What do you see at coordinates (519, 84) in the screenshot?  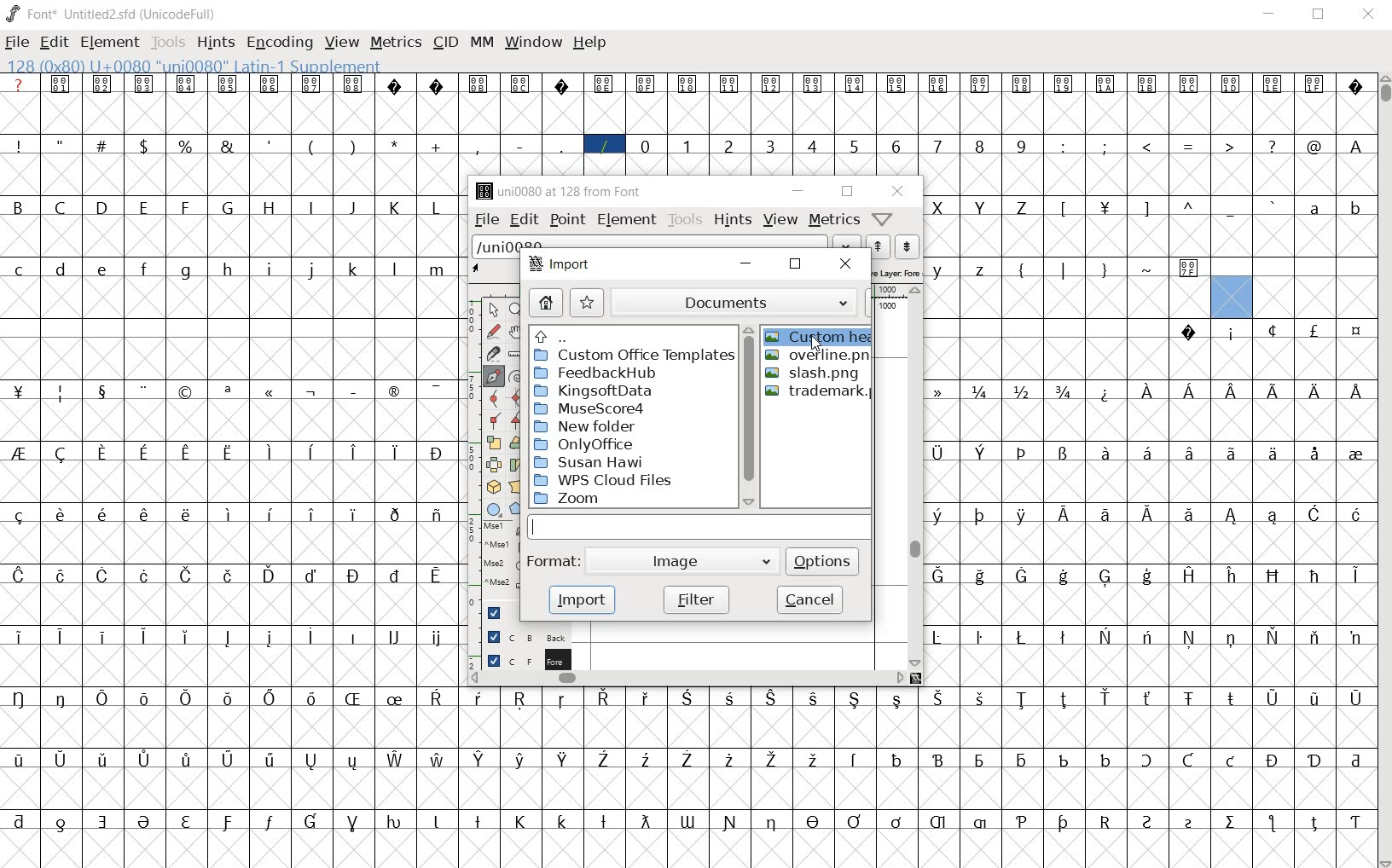 I see `glyph` at bounding box center [519, 84].